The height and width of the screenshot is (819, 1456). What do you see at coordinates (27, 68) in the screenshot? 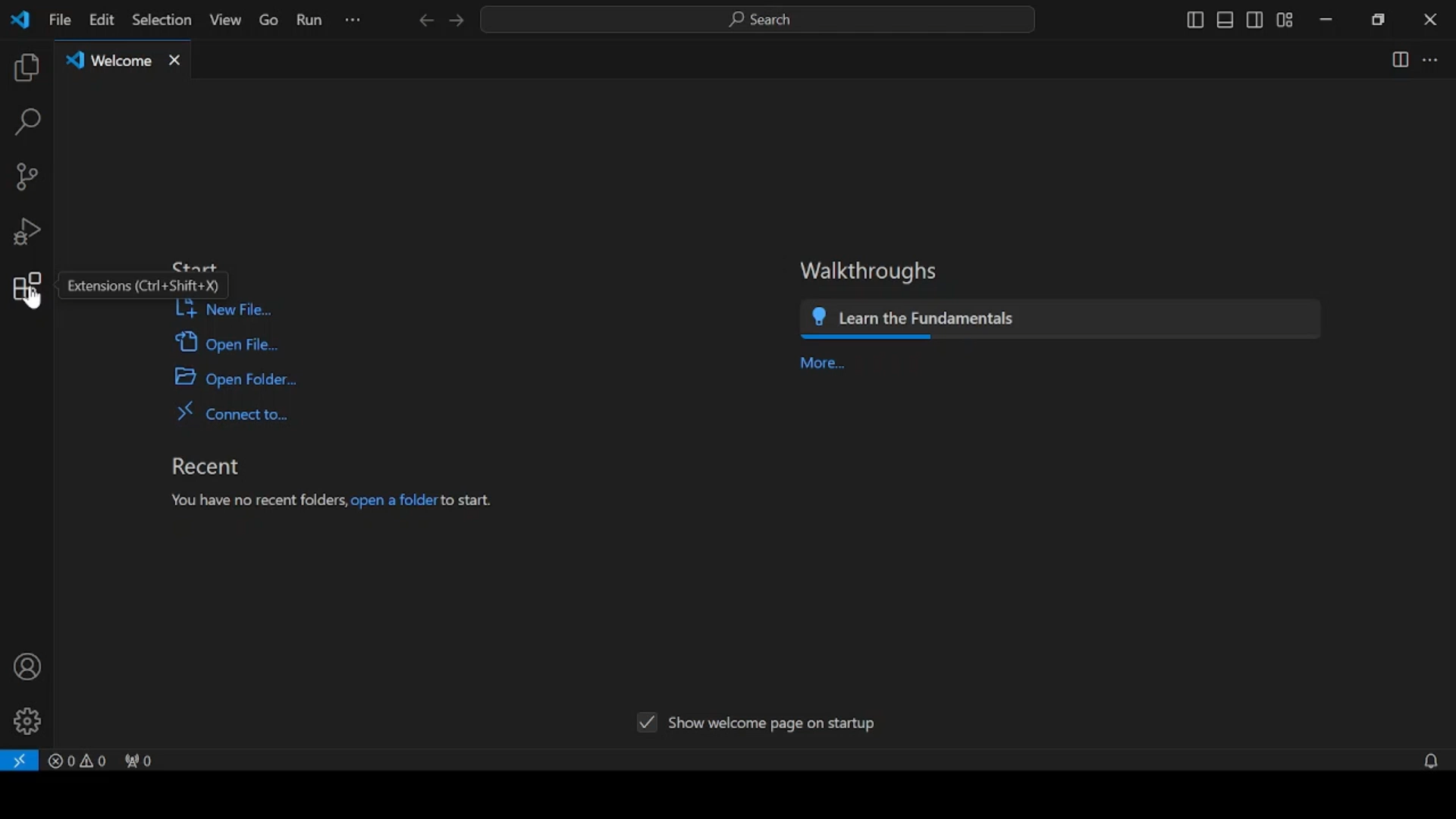
I see `explorer` at bounding box center [27, 68].